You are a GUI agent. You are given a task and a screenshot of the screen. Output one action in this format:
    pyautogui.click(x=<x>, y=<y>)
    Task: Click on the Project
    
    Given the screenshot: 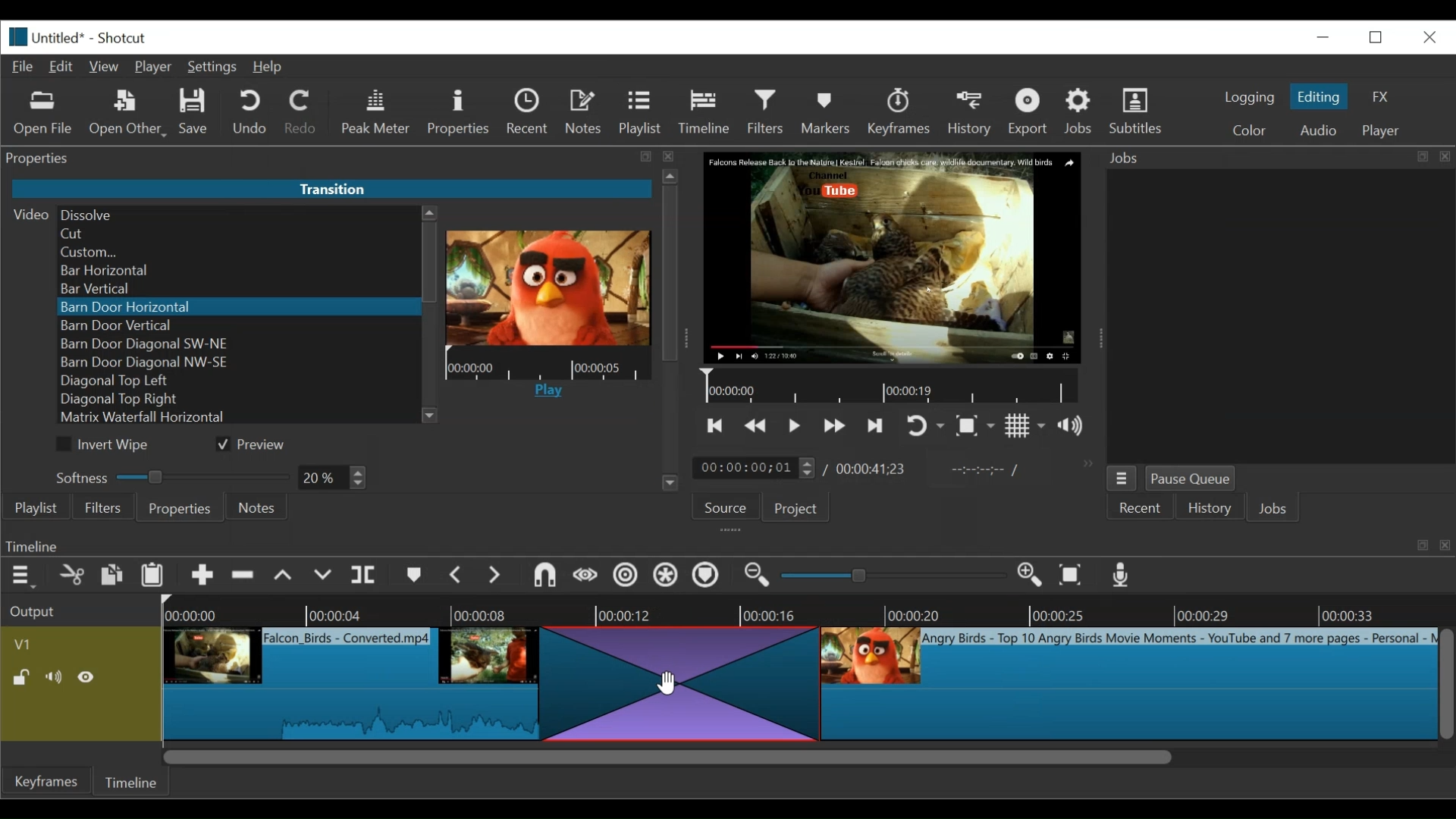 What is the action you would take?
    pyautogui.click(x=802, y=507)
    